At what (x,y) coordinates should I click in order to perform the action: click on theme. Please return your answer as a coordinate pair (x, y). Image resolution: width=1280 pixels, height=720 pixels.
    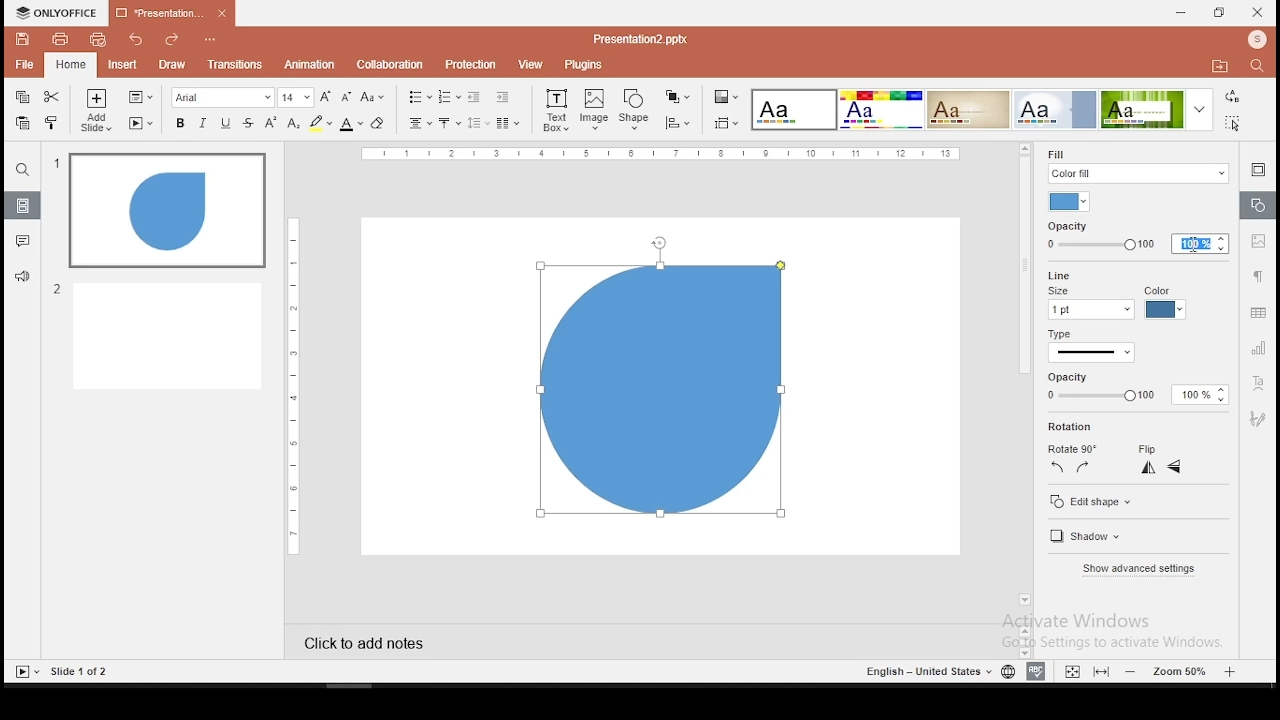
    Looking at the image, I should click on (1155, 110).